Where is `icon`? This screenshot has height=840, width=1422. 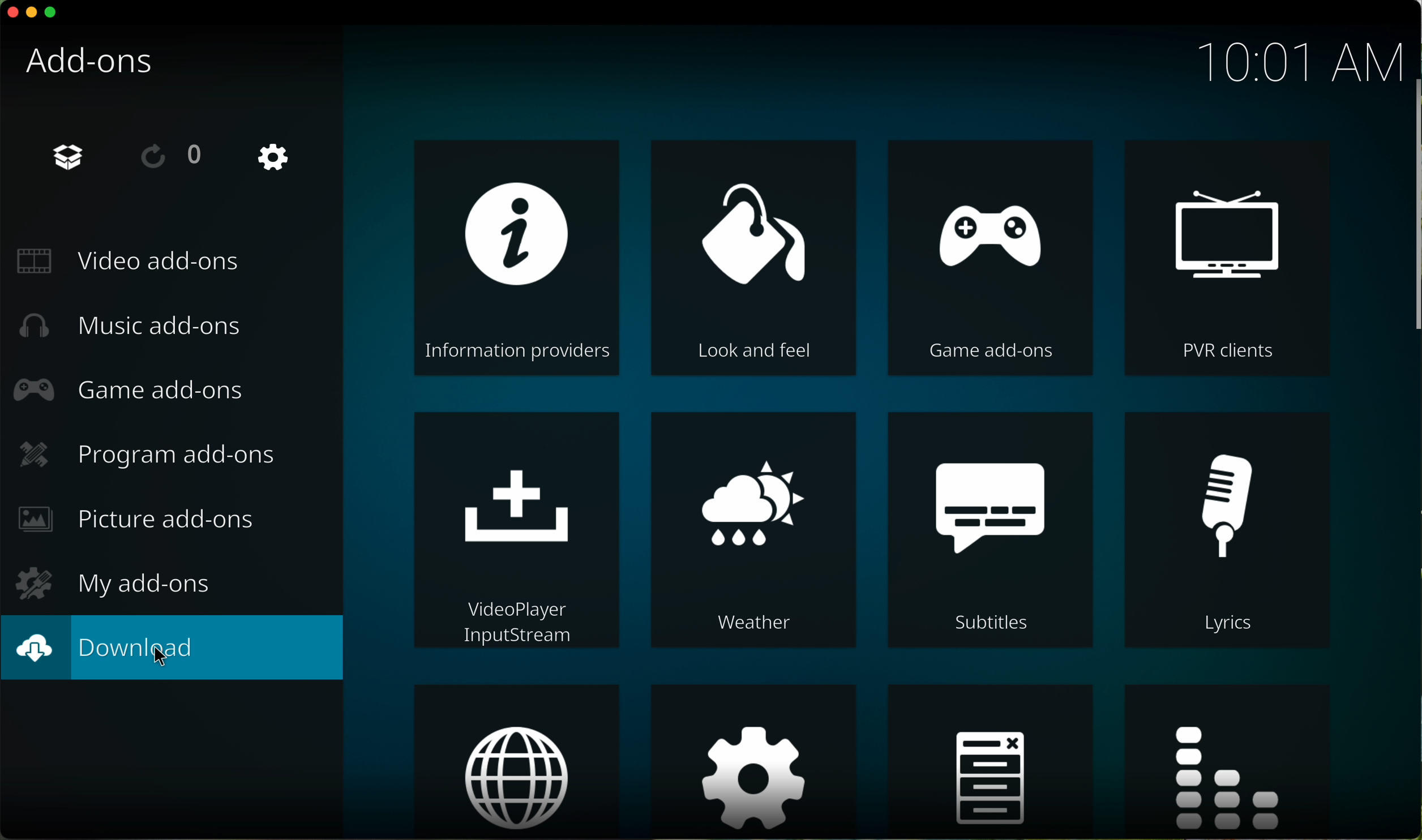
icon is located at coordinates (990, 762).